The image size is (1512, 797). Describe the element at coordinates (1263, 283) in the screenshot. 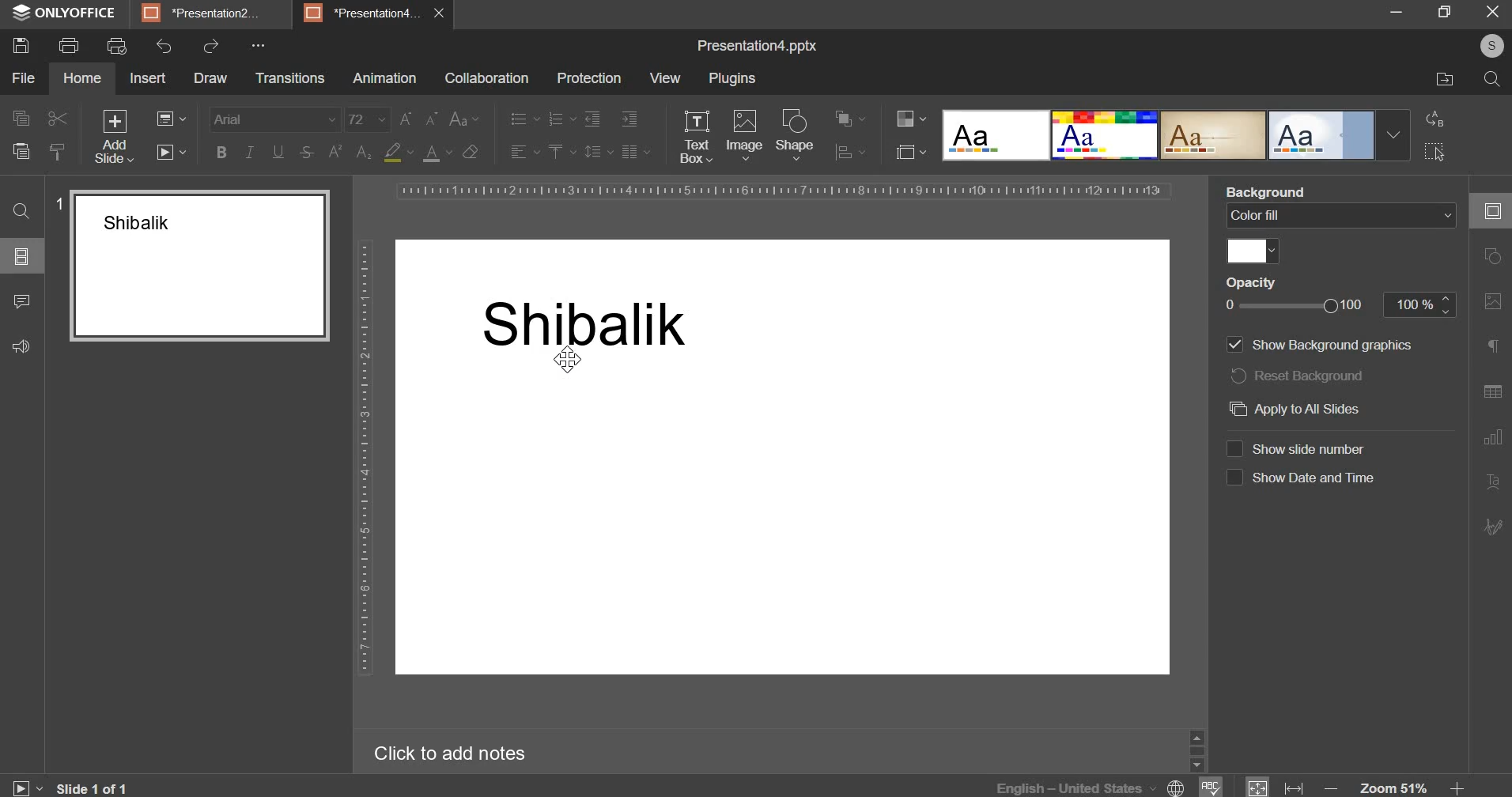

I see `opacity` at that location.